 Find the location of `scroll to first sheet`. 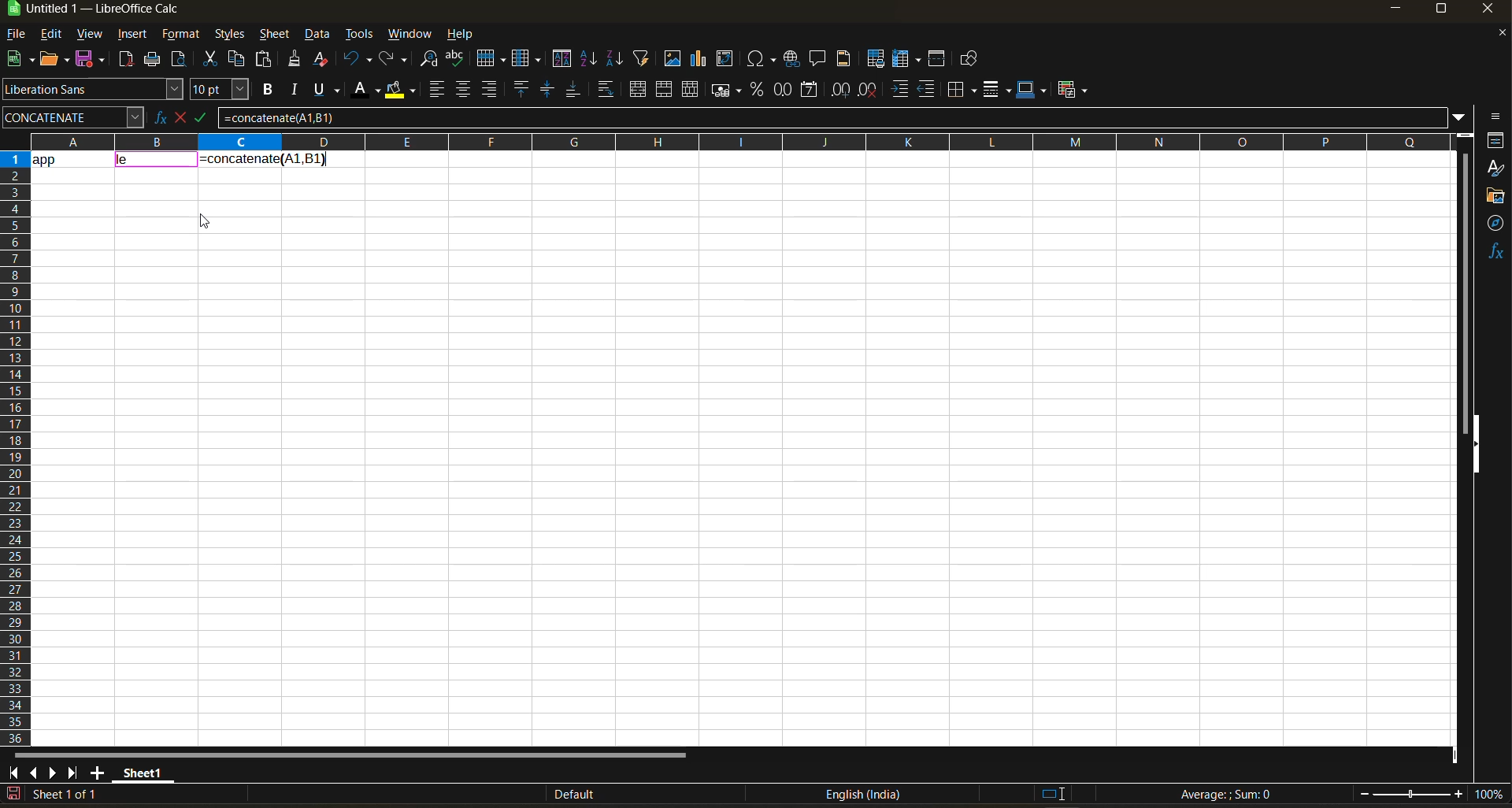

scroll to first sheet is located at coordinates (14, 770).